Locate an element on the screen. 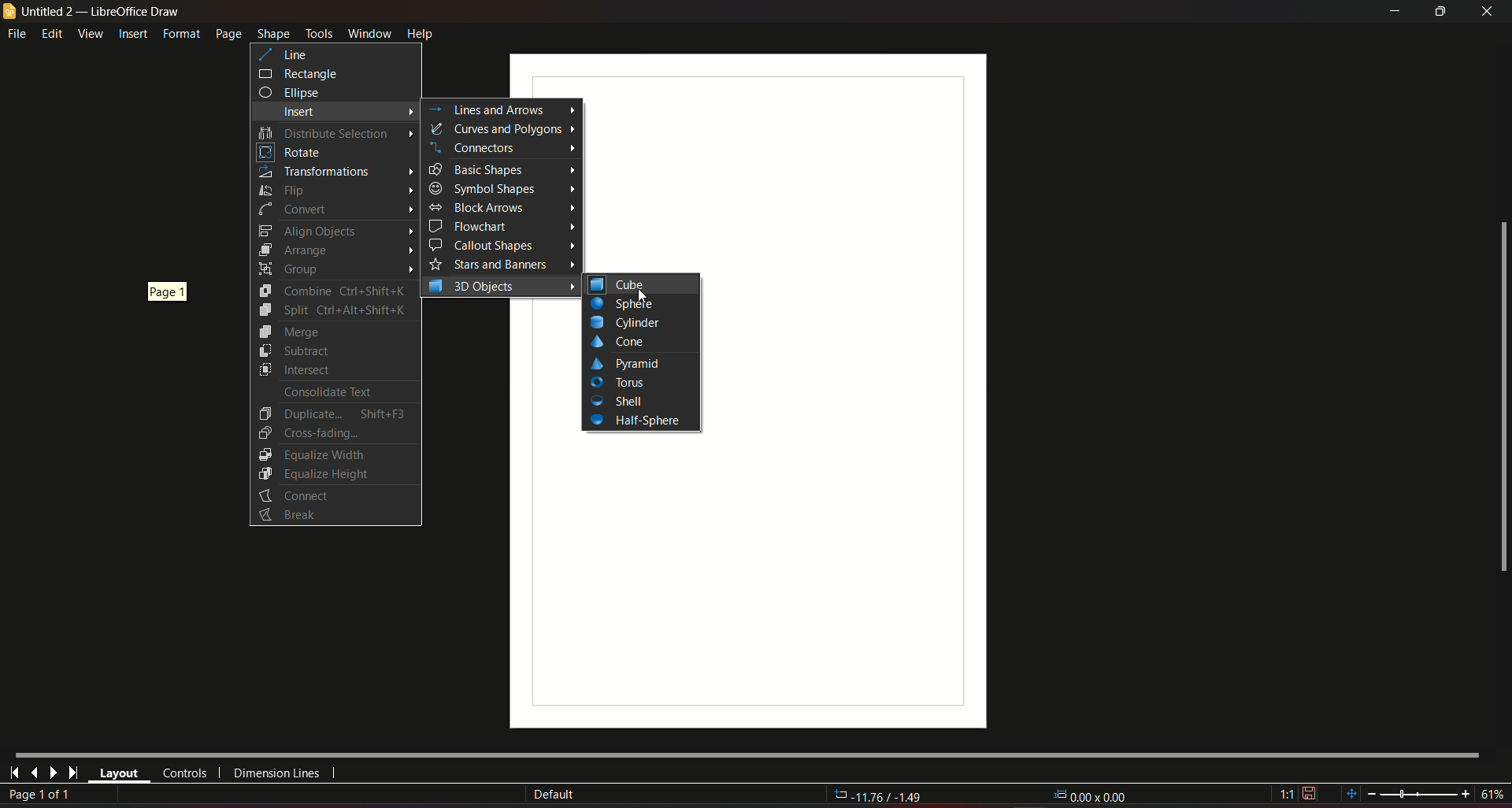 The height and width of the screenshot is (808, 1512). Arrow is located at coordinates (409, 191).